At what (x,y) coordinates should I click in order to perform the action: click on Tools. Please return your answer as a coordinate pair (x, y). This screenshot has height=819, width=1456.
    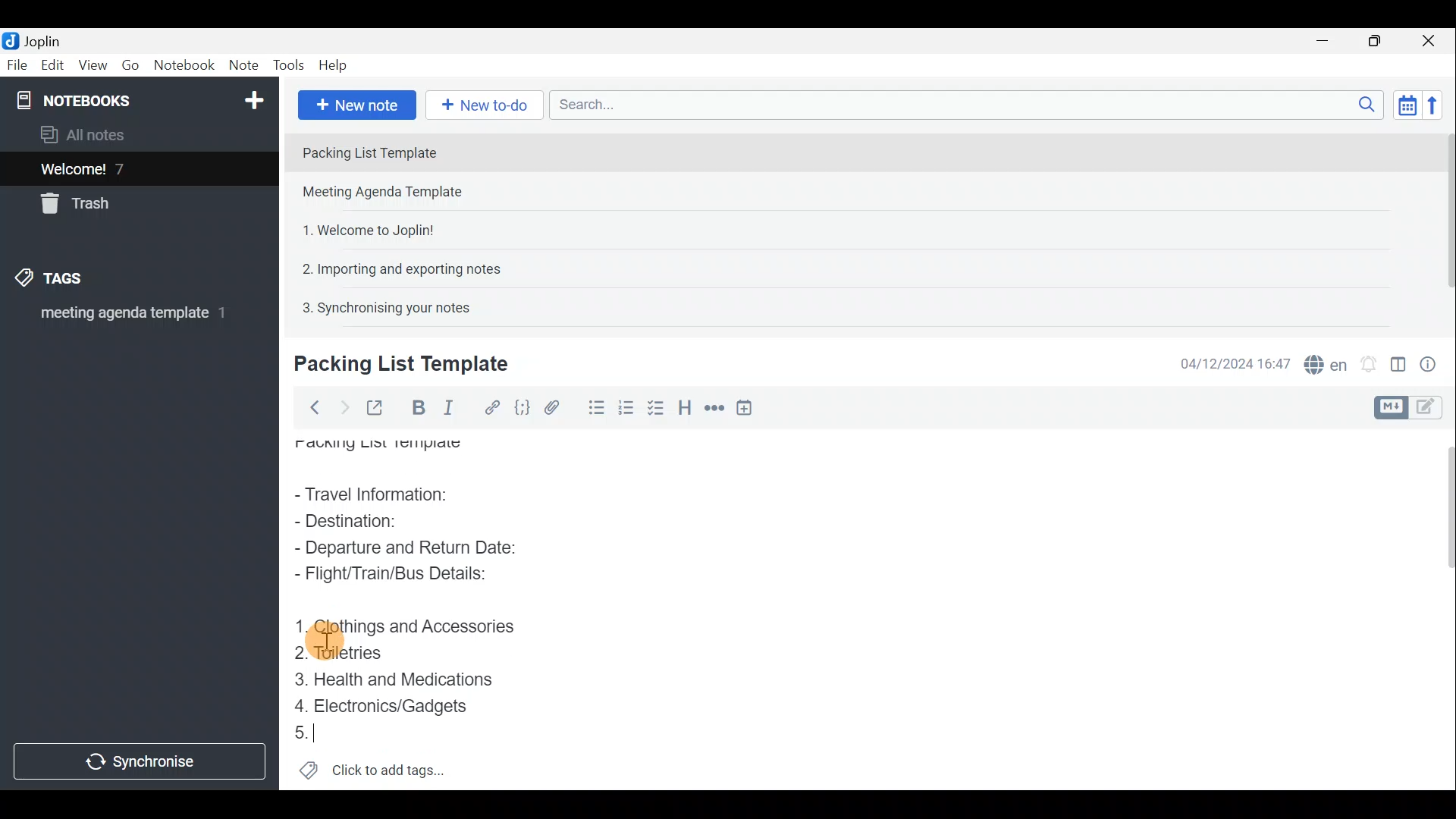
    Looking at the image, I should click on (290, 66).